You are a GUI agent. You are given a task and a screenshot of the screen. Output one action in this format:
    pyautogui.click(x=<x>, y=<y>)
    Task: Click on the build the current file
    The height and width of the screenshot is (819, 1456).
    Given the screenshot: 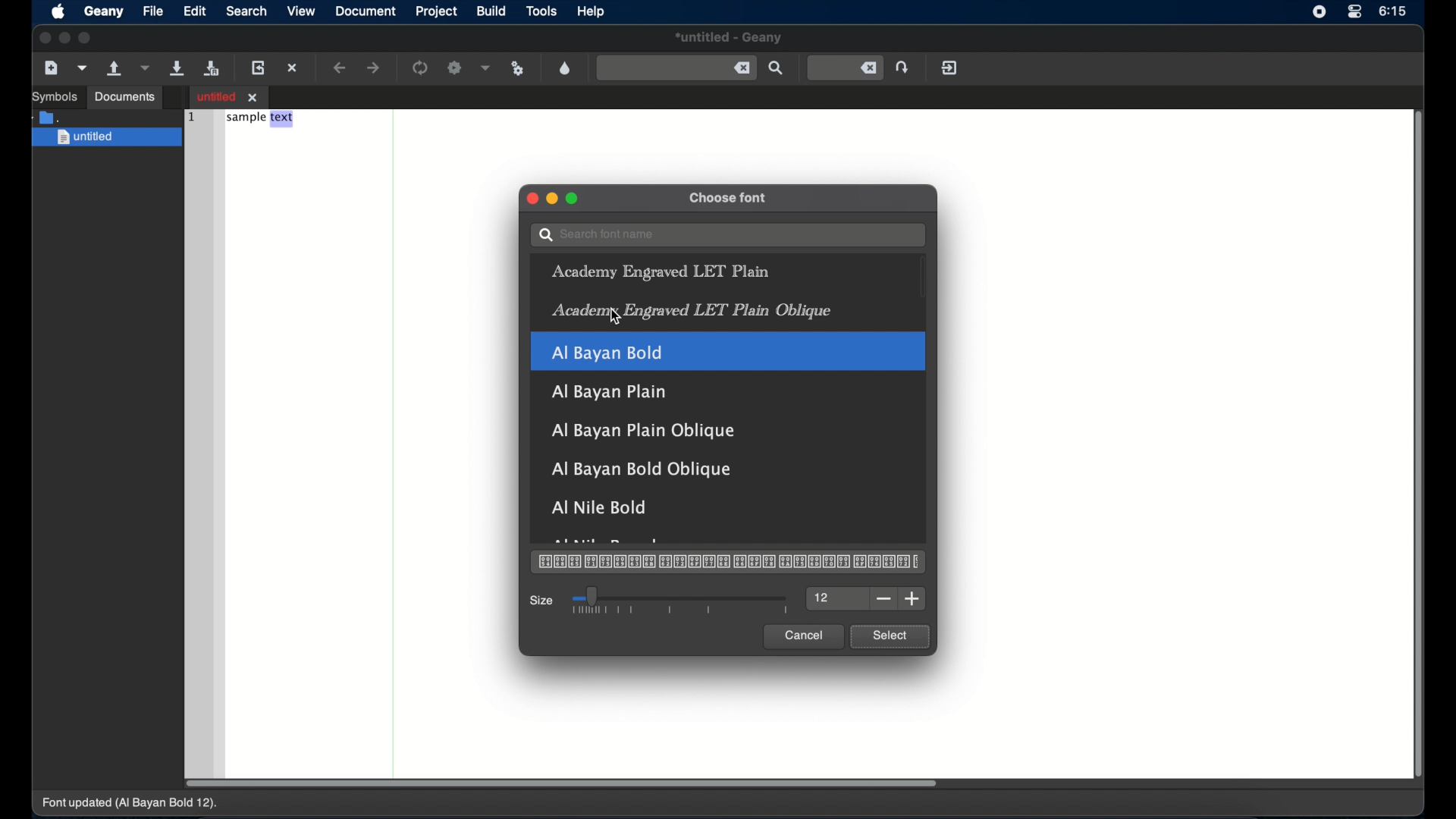 What is the action you would take?
    pyautogui.click(x=456, y=68)
    